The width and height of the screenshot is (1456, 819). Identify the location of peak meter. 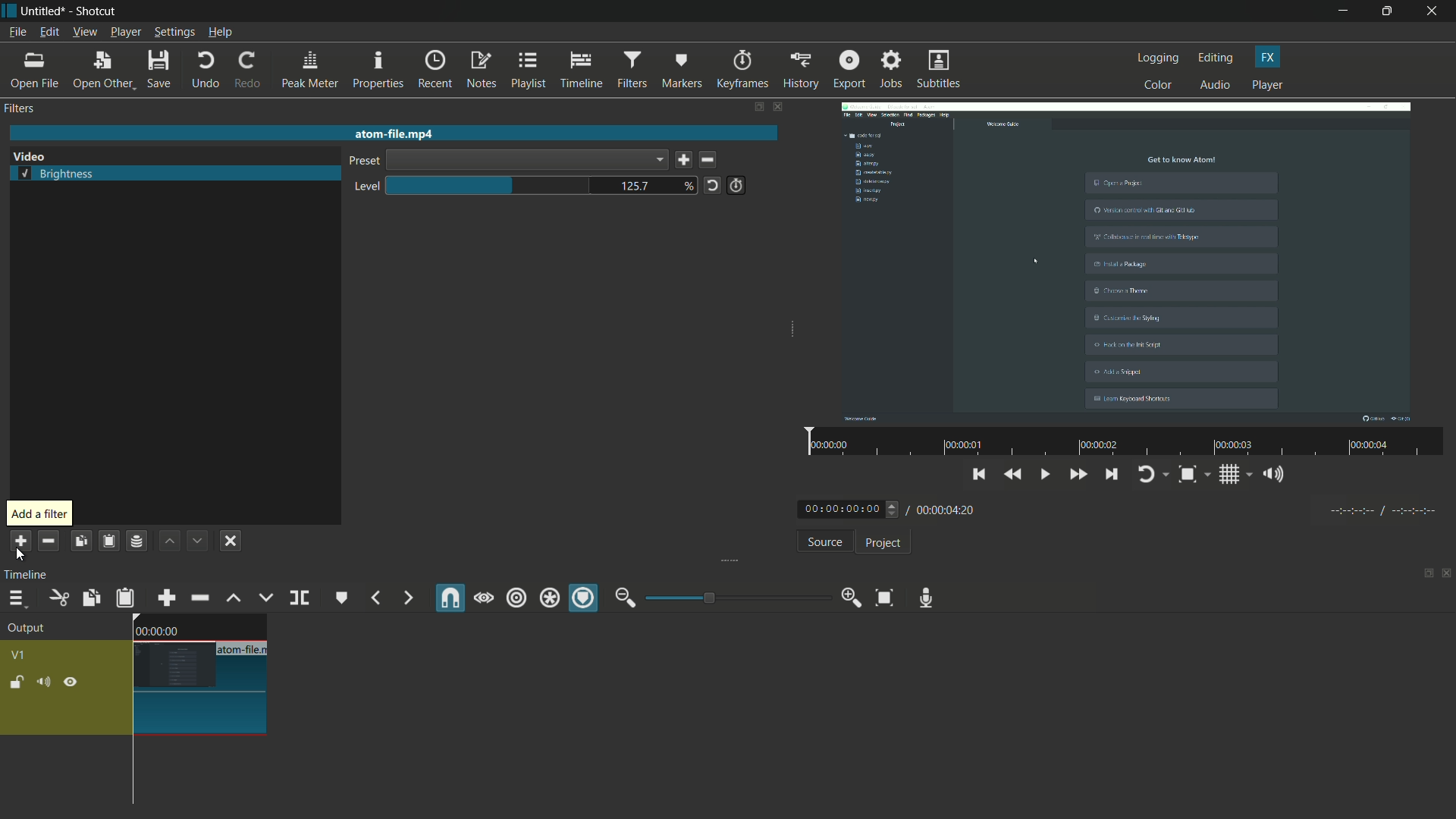
(309, 70).